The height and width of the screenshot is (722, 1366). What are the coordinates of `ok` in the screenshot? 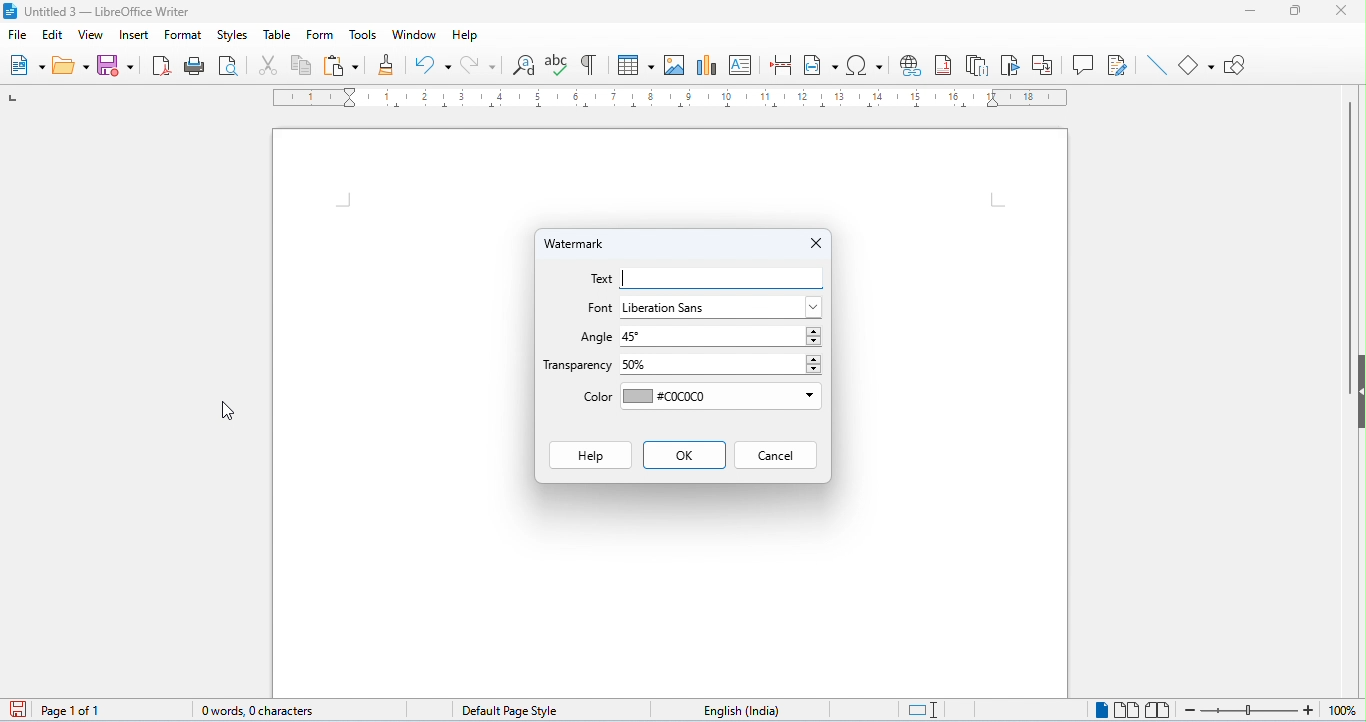 It's located at (682, 456).